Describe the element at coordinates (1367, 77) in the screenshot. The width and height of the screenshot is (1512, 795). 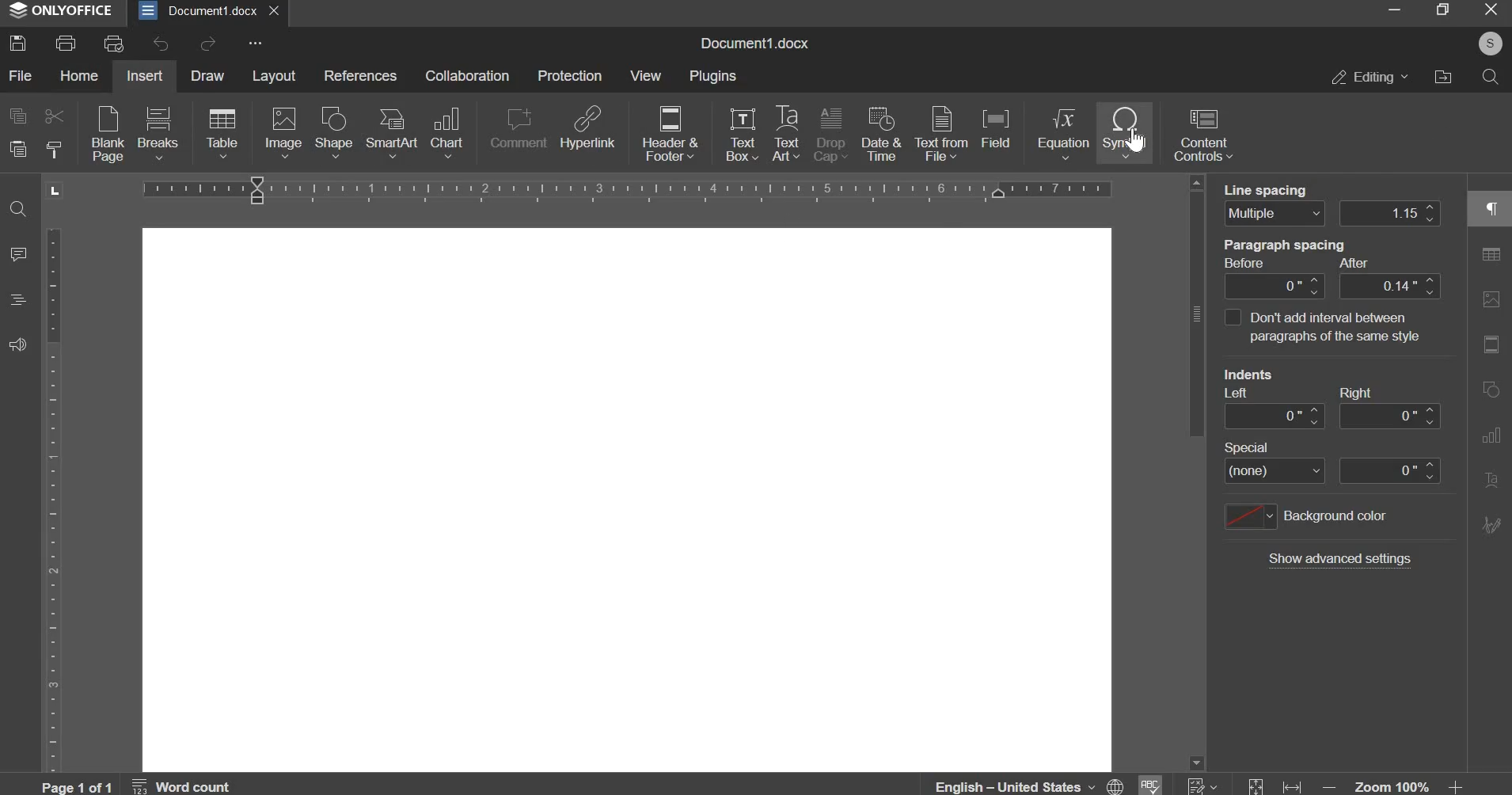
I see `editing` at that location.